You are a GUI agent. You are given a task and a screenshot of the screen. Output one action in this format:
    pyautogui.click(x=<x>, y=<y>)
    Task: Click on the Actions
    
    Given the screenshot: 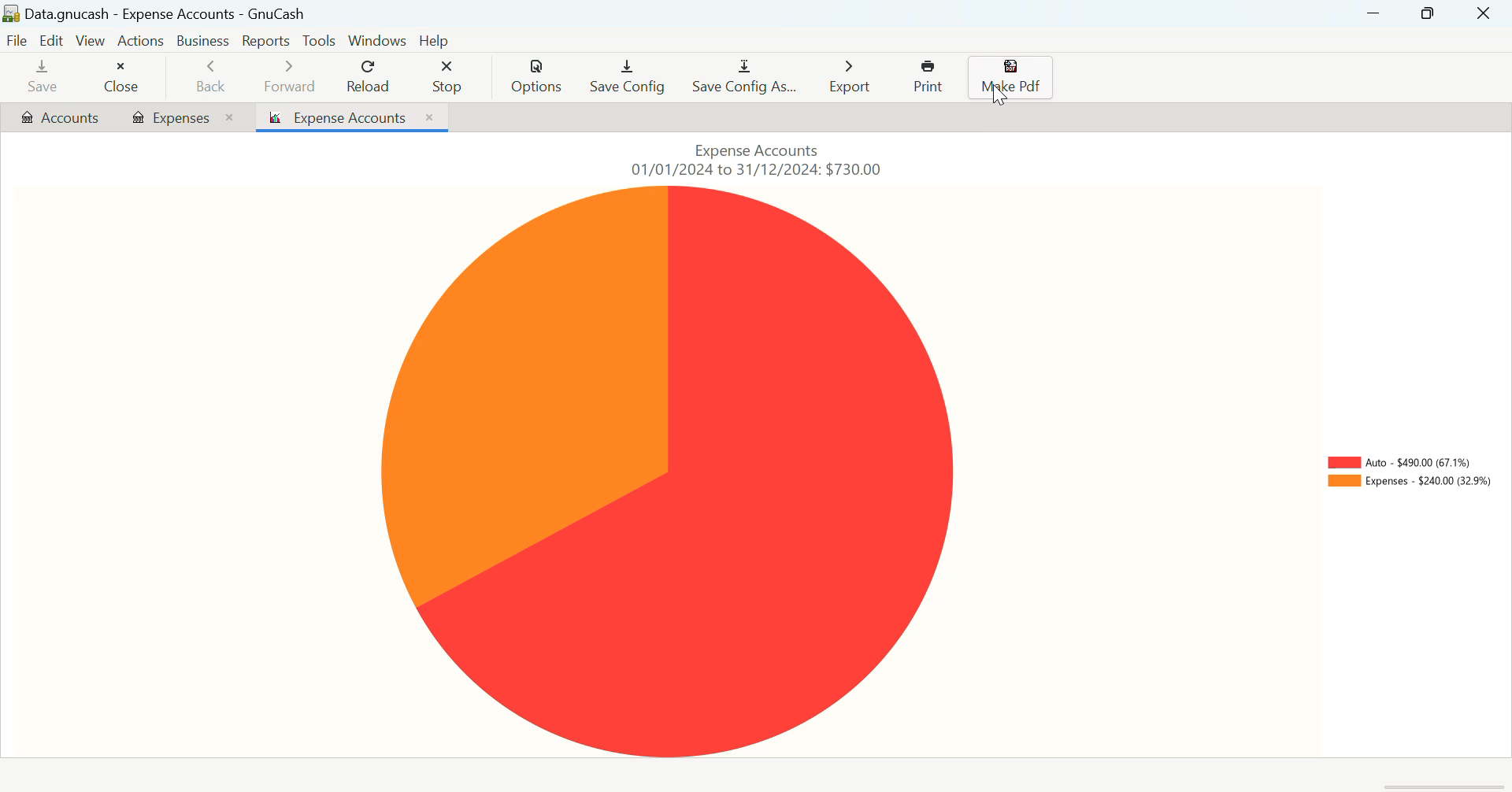 What is the action you would take?
    pyautogui.click(x=143, y=43)
    